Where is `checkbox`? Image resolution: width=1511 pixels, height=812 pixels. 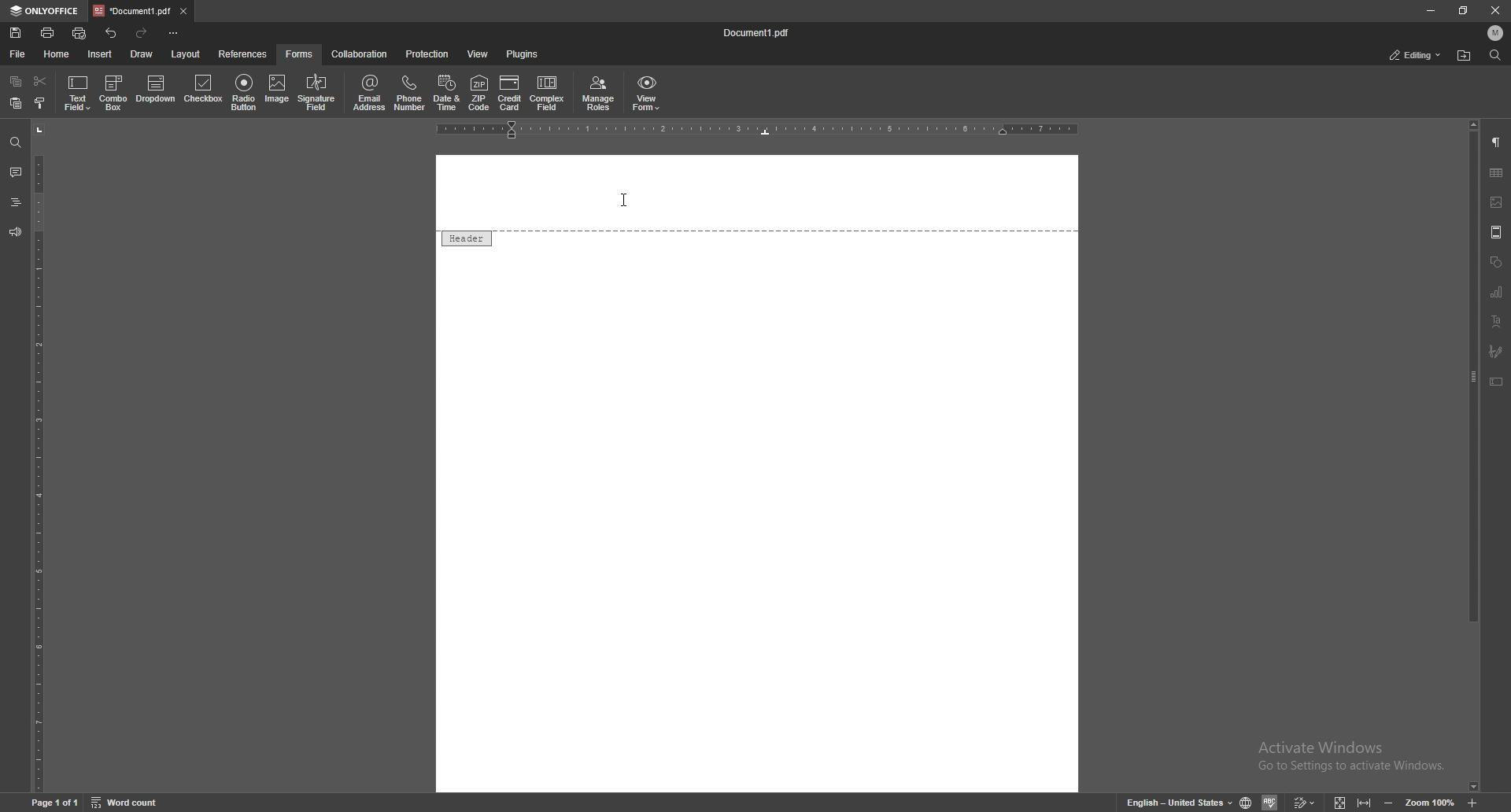 checkbox is located at coordinates (203, 91).